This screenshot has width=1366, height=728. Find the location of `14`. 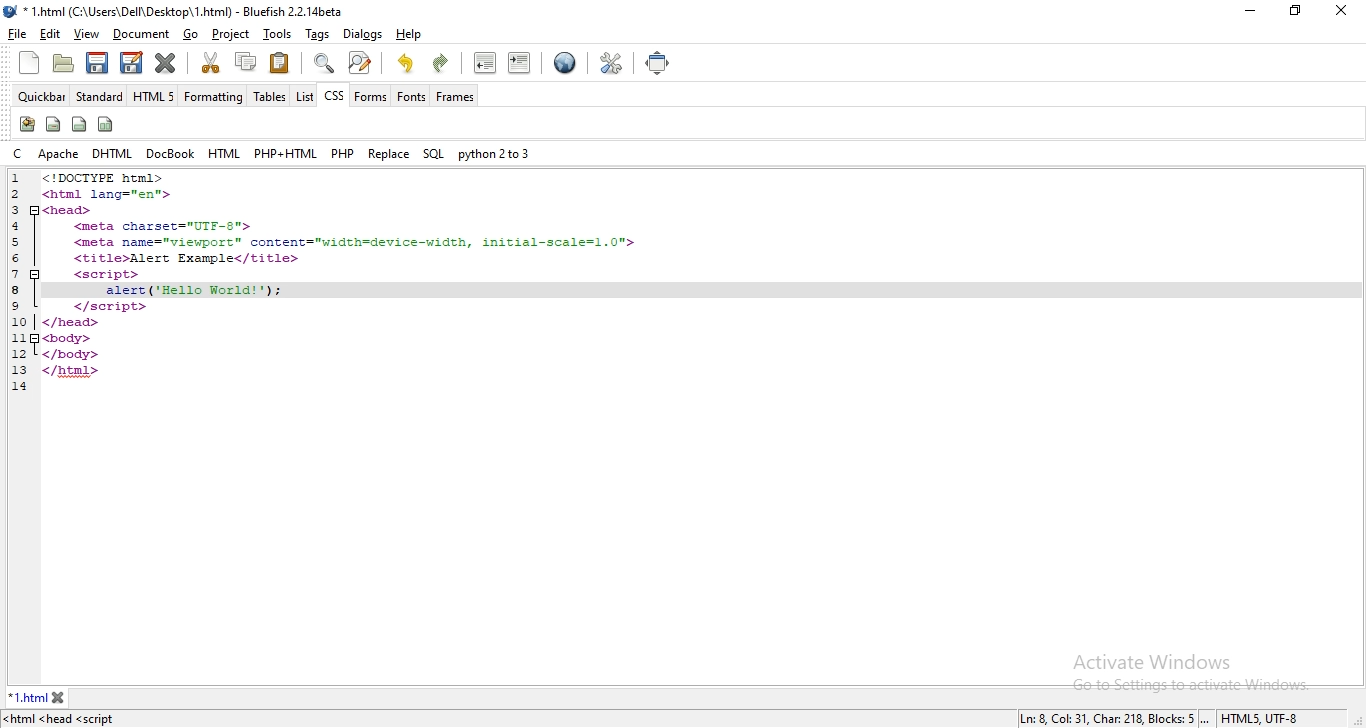

14 is located at coordinates (19, 389).